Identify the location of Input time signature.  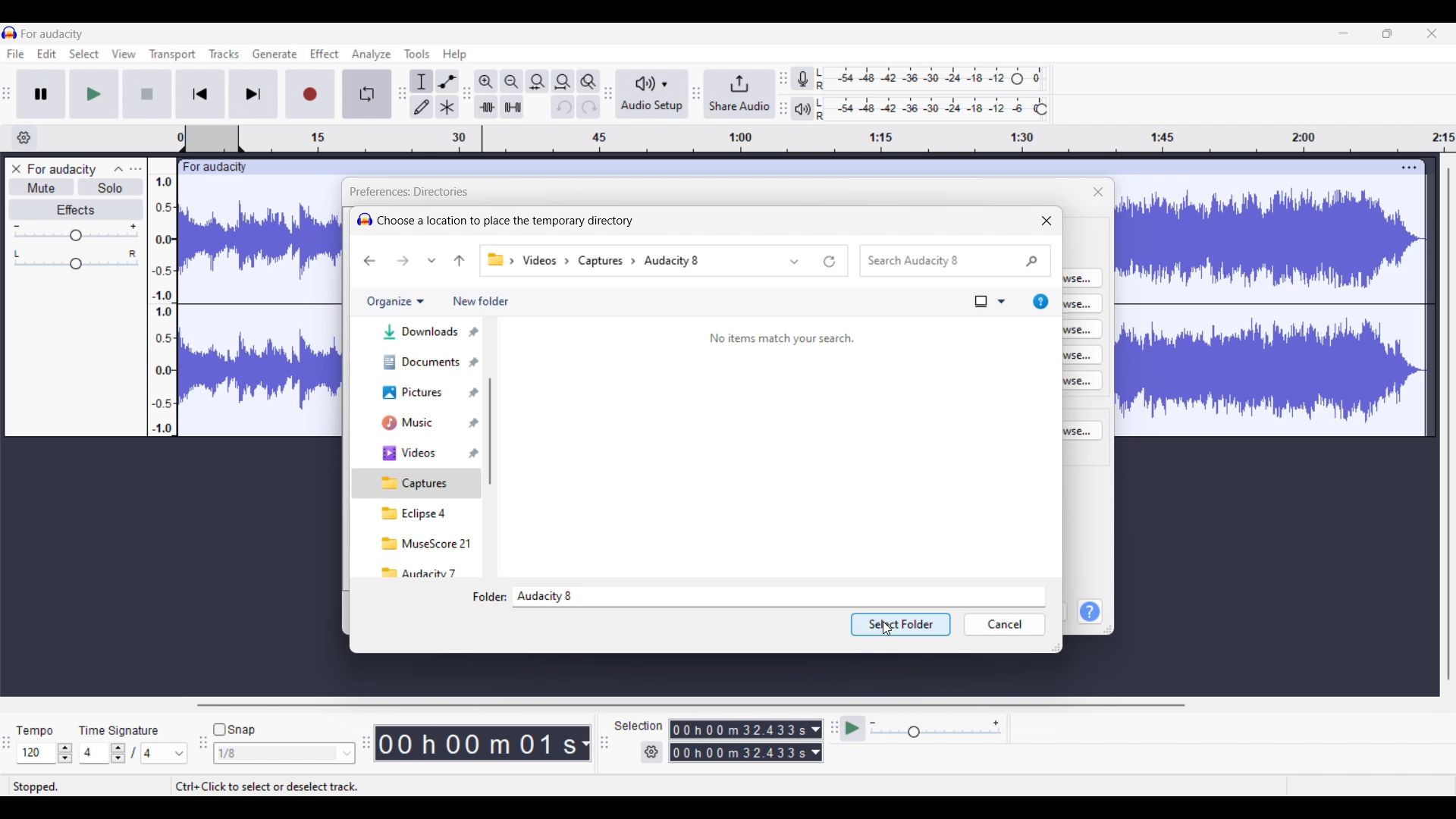
(94, 753).